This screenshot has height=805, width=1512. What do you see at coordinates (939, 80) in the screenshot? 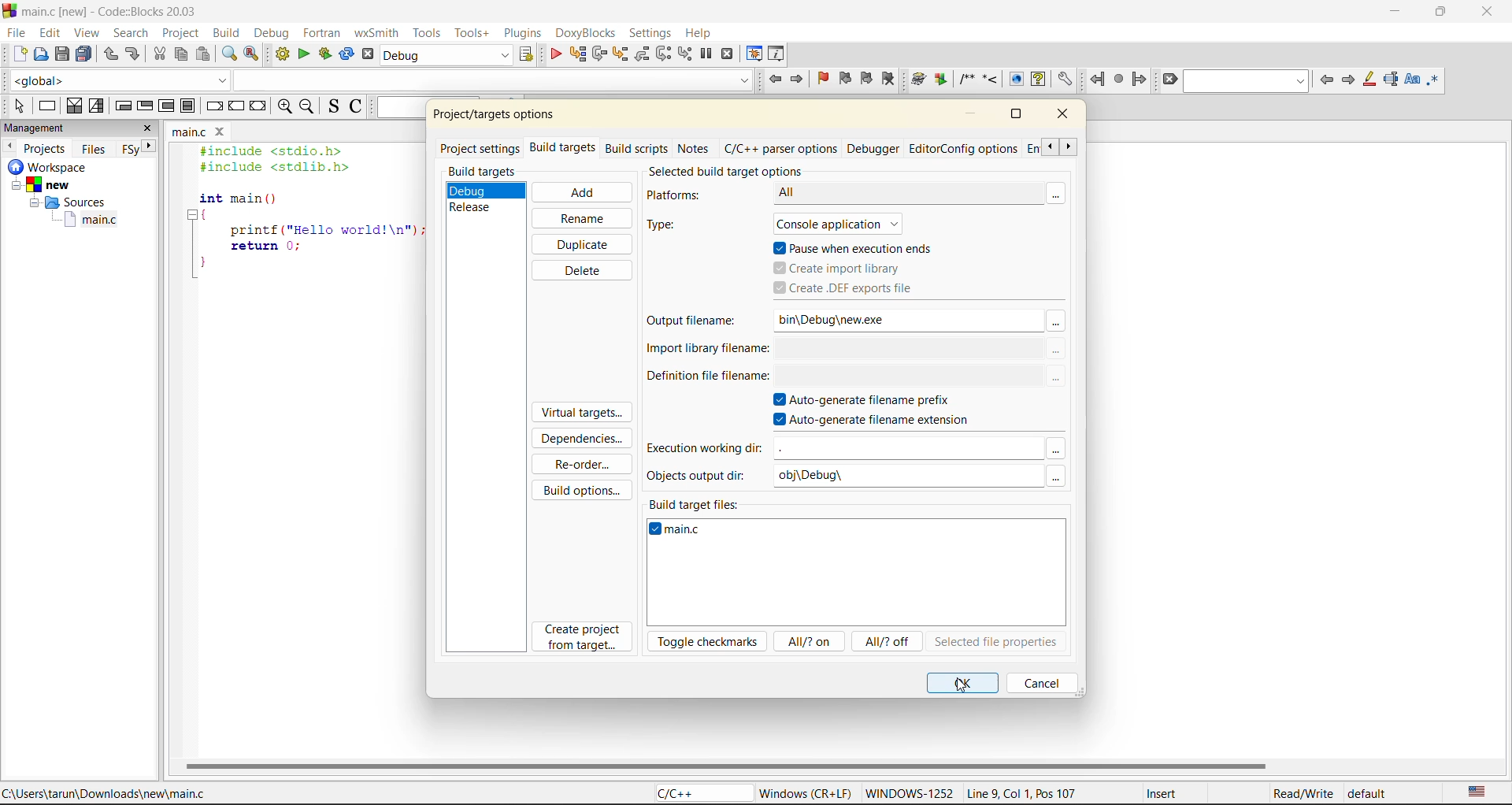
I see `Extract documentation for the current project` at bounding box center [939, 80].